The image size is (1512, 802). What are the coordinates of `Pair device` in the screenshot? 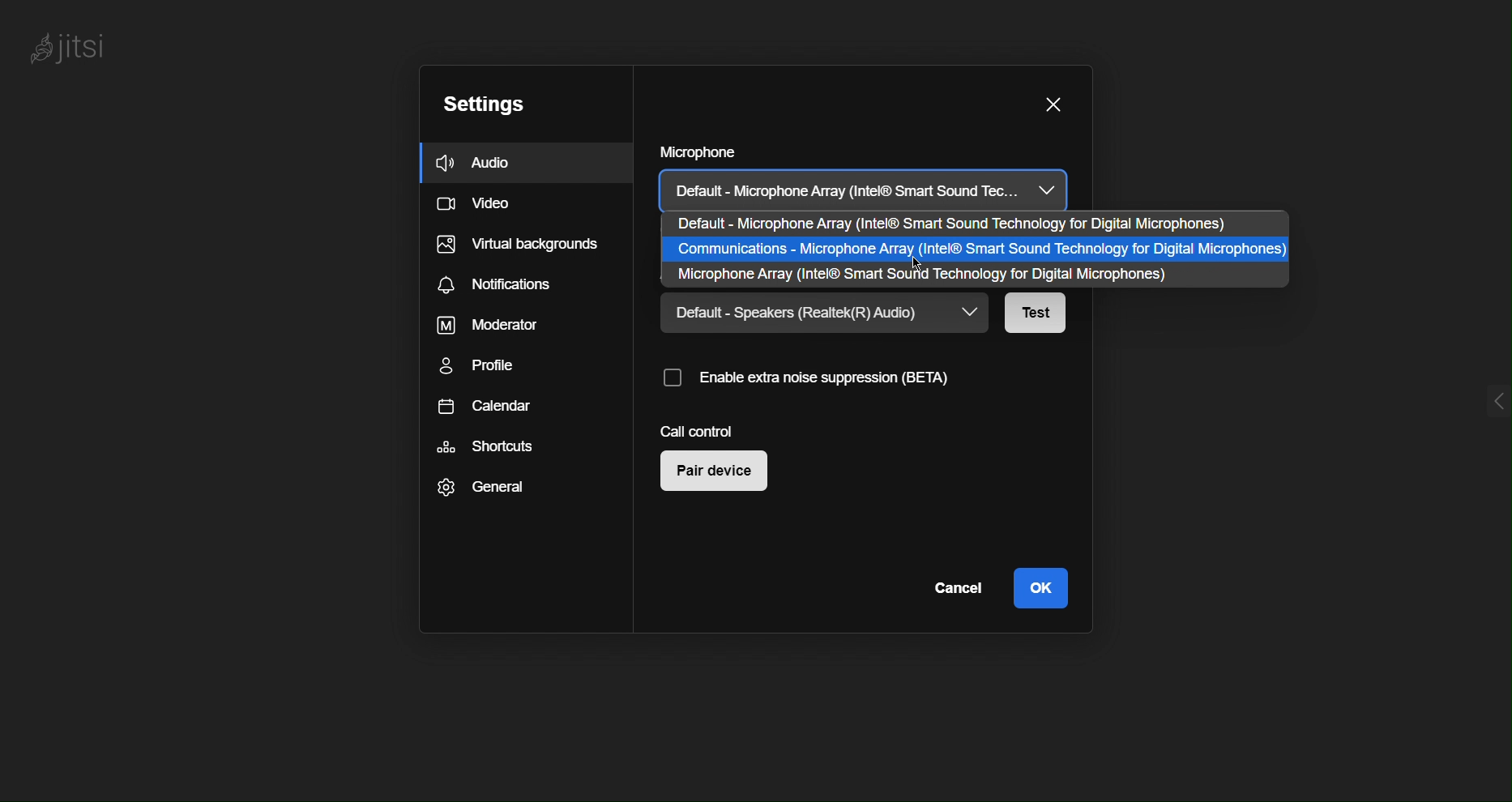 It's located at (715, 473).